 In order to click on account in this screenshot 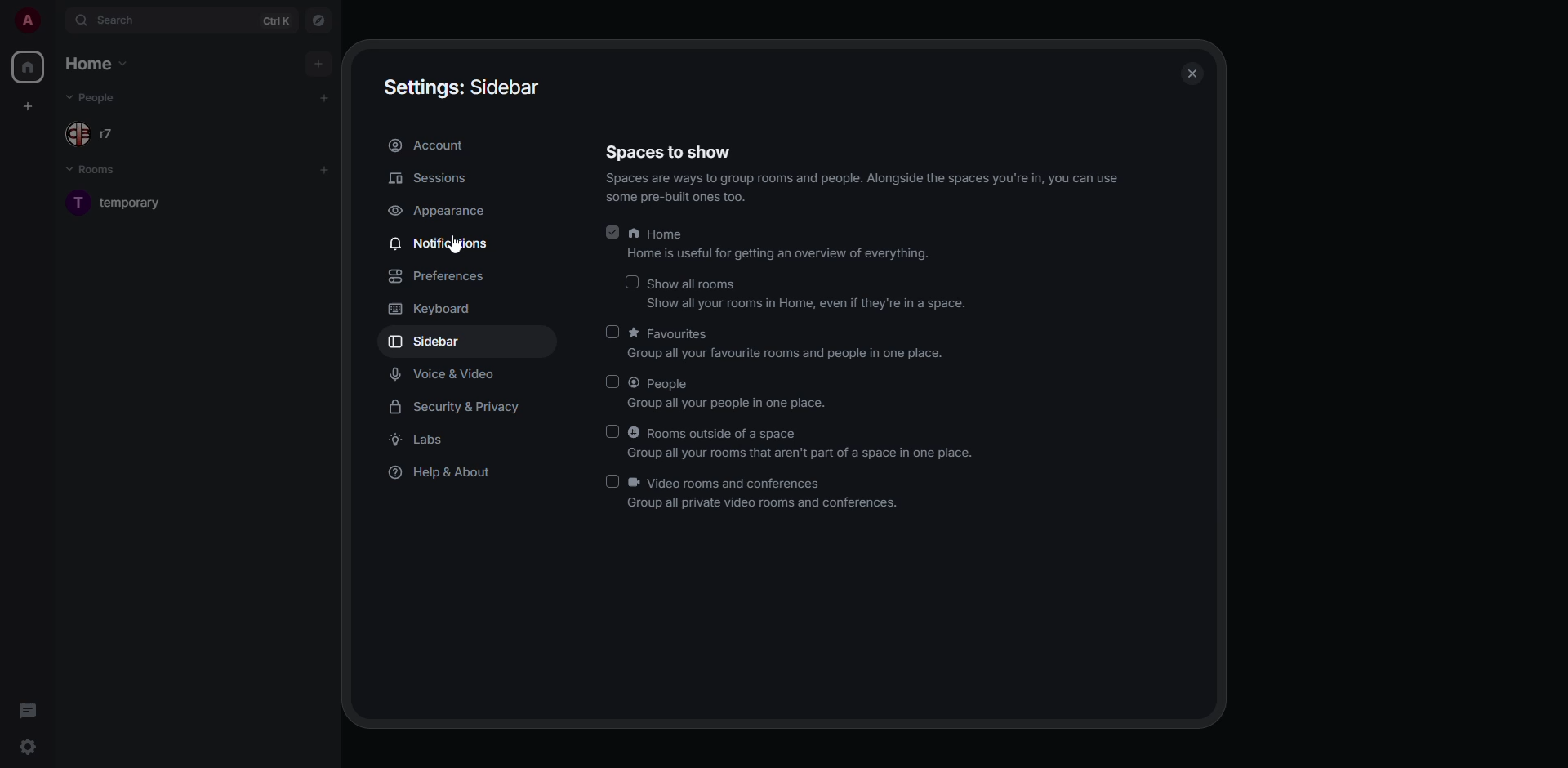, I will do `click(429, 145)`.